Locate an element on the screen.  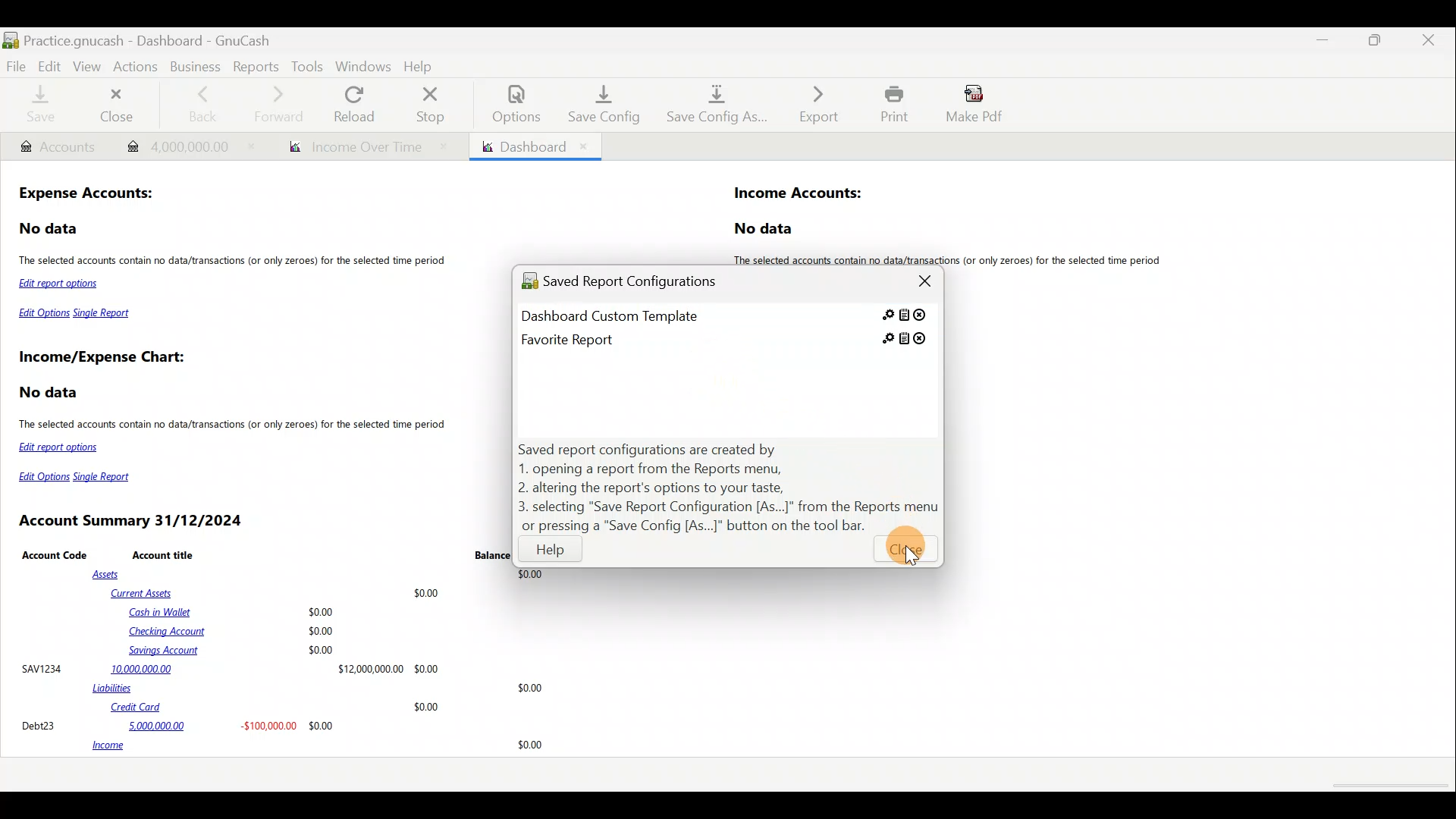
Assets $0.00 is located at coordinates (322, 575).